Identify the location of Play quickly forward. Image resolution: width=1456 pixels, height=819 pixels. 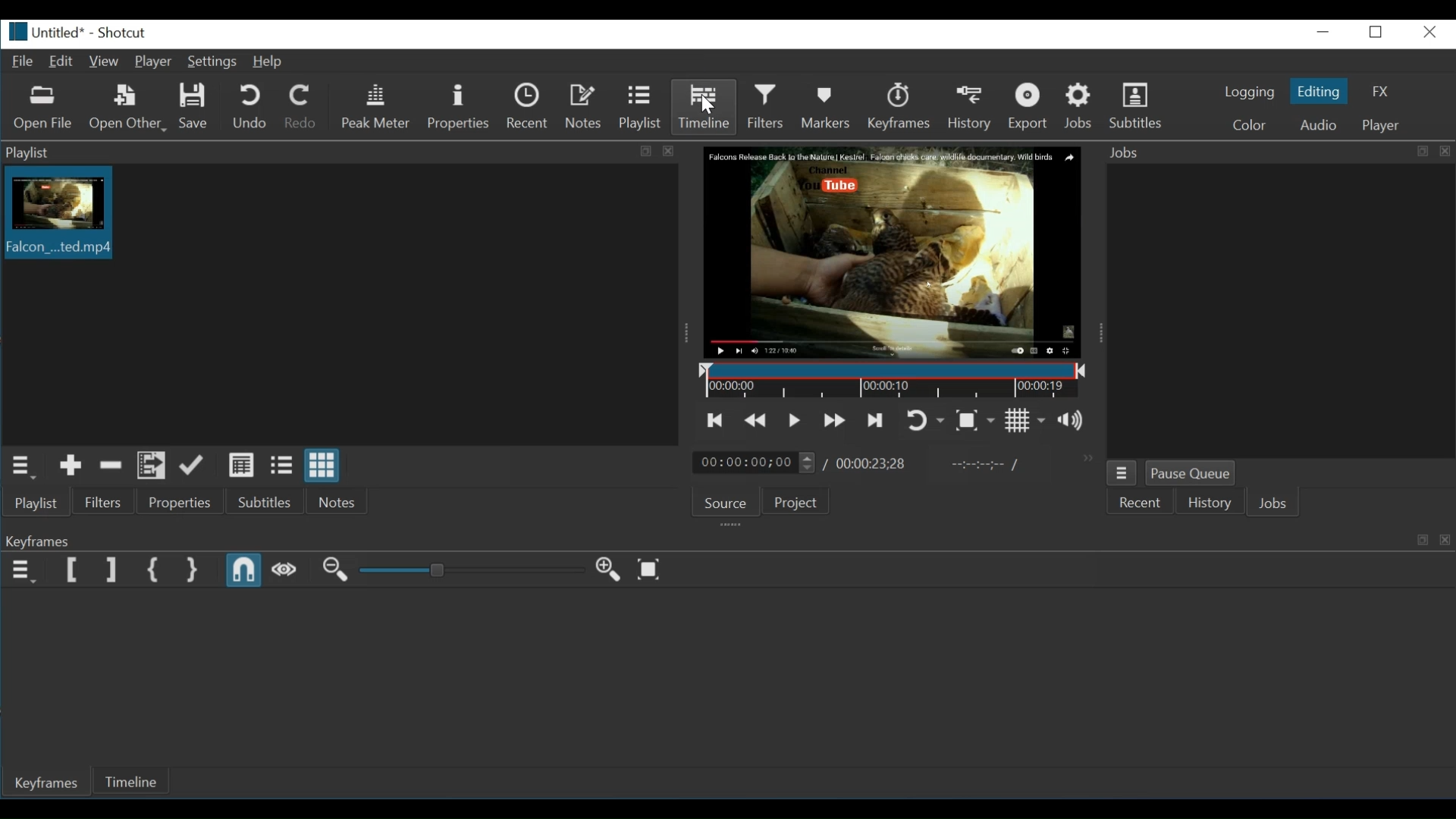
(835, 419).